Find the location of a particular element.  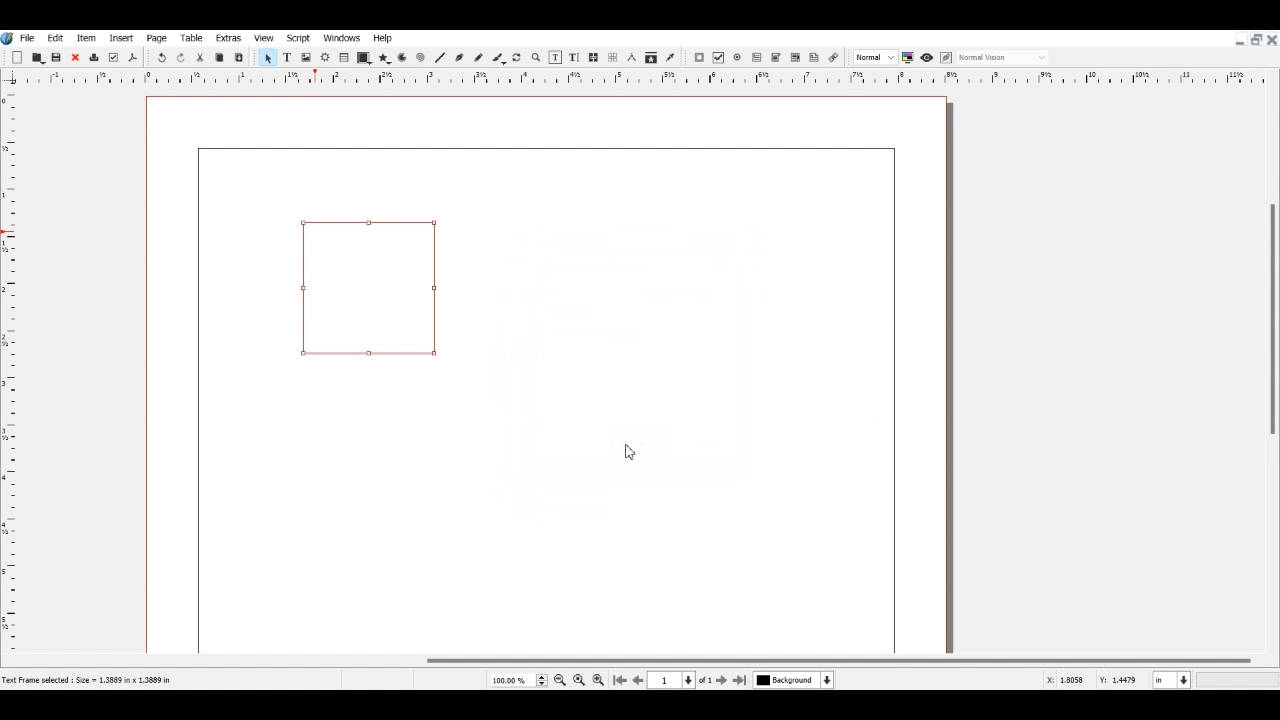

Text Frame is located at coordinates (287, 57).